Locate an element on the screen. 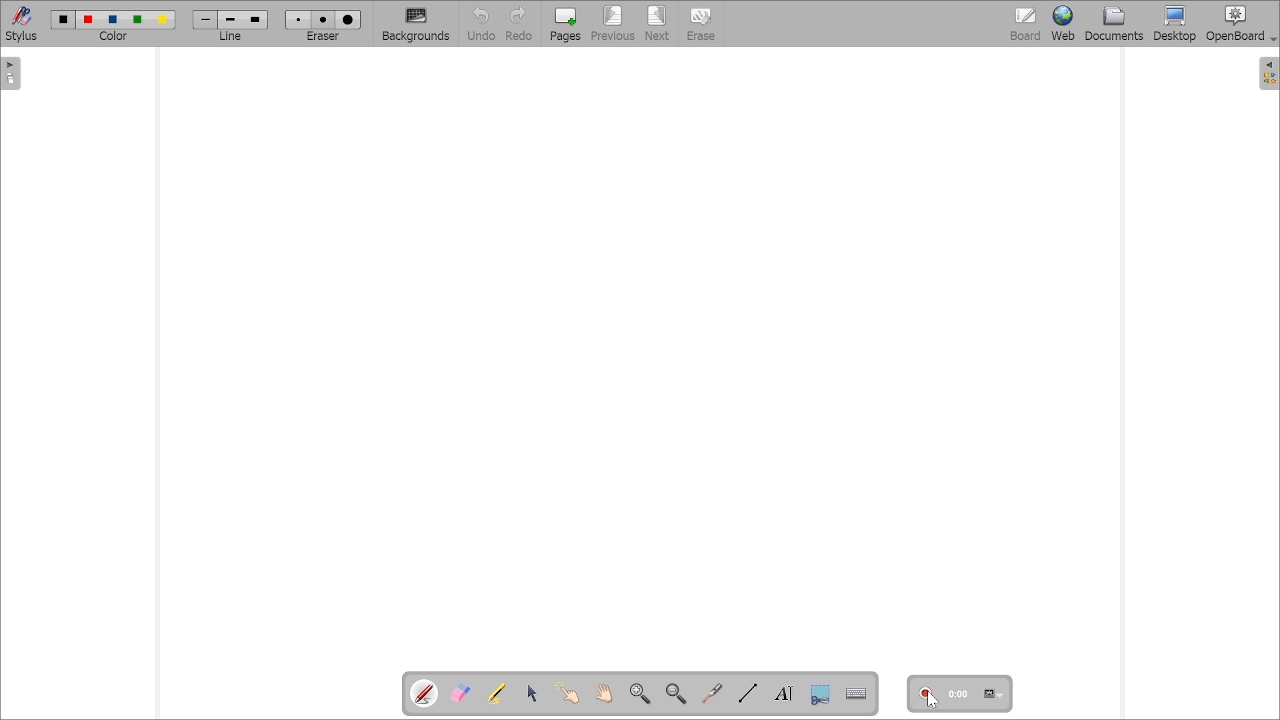  Highlight is located at coordinates (497, 694).